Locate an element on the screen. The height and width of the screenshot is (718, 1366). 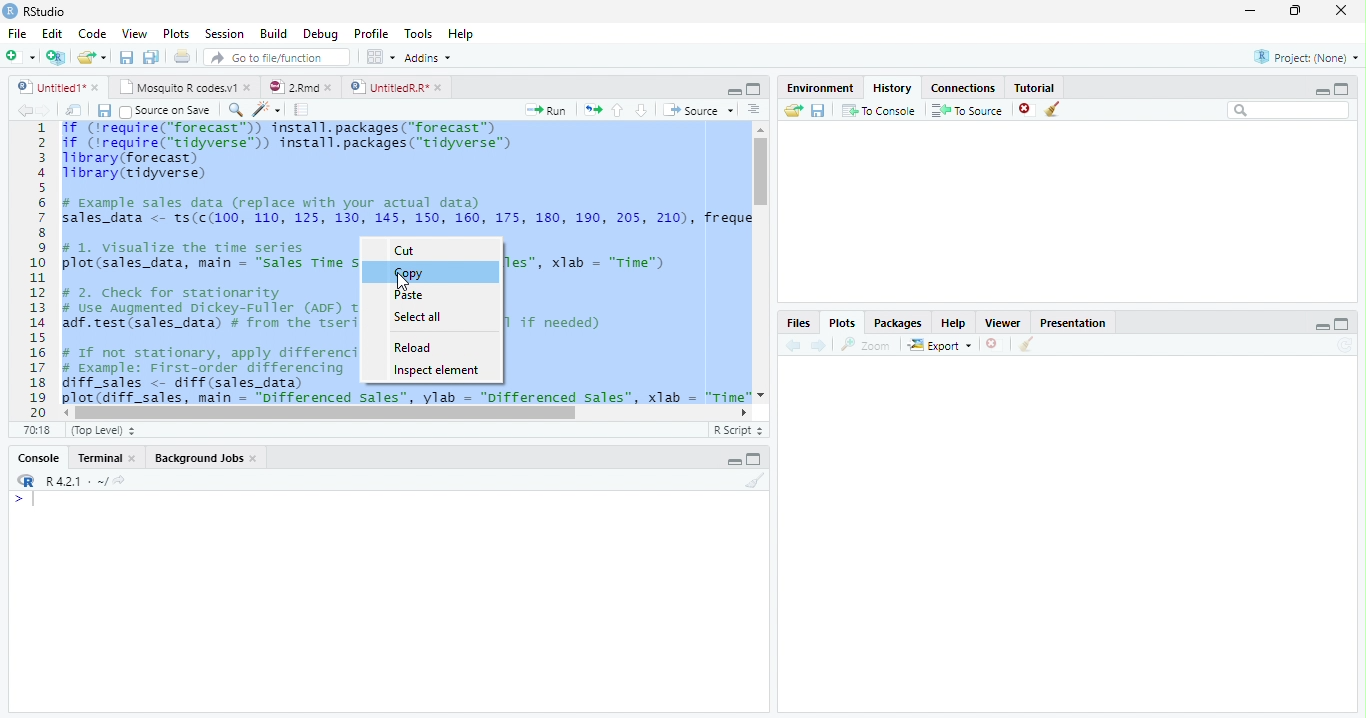
Connections is located at coordinates (963, 88).